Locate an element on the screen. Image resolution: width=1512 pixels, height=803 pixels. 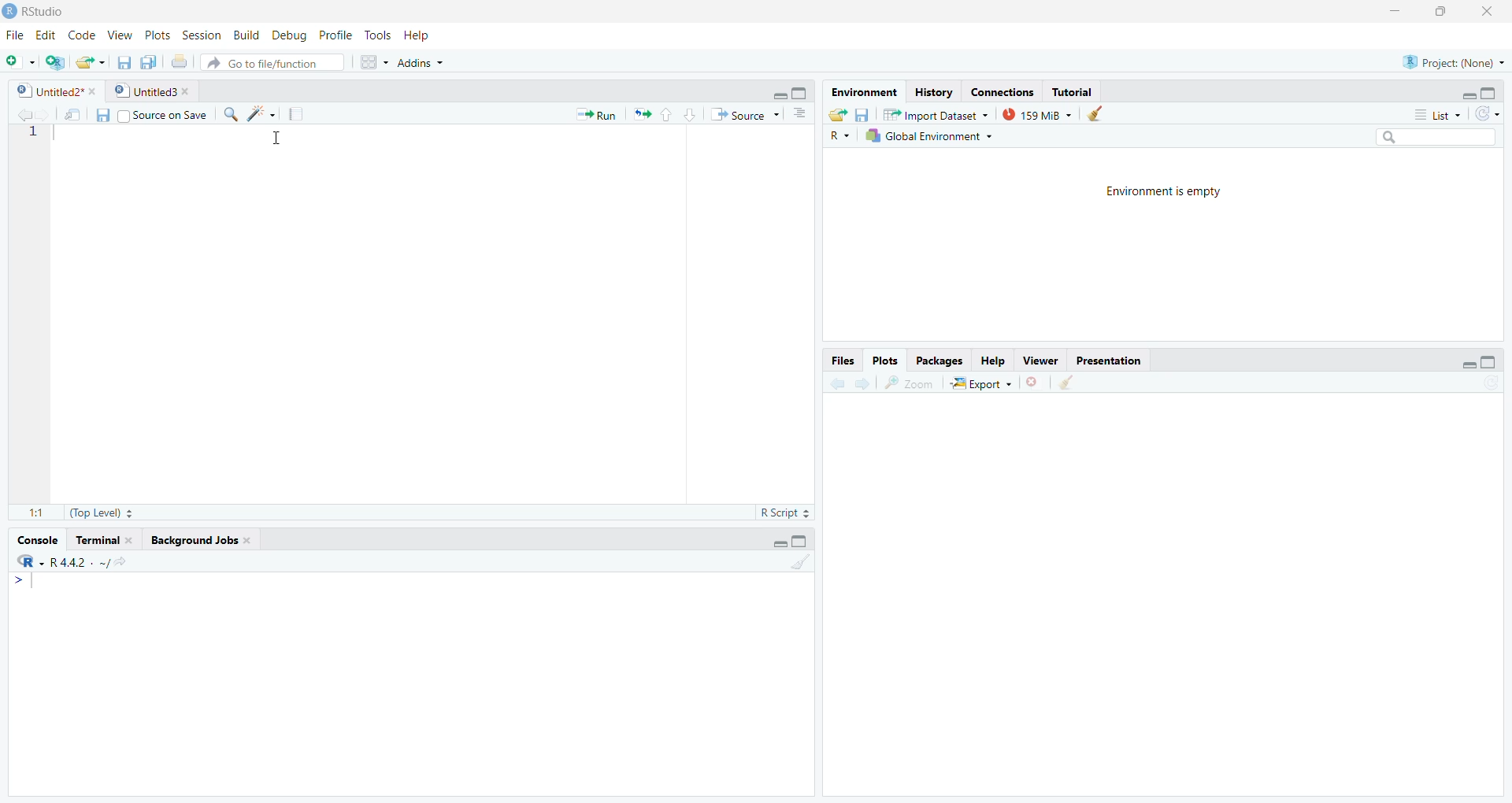
Session is located at coordinates (202, 35).